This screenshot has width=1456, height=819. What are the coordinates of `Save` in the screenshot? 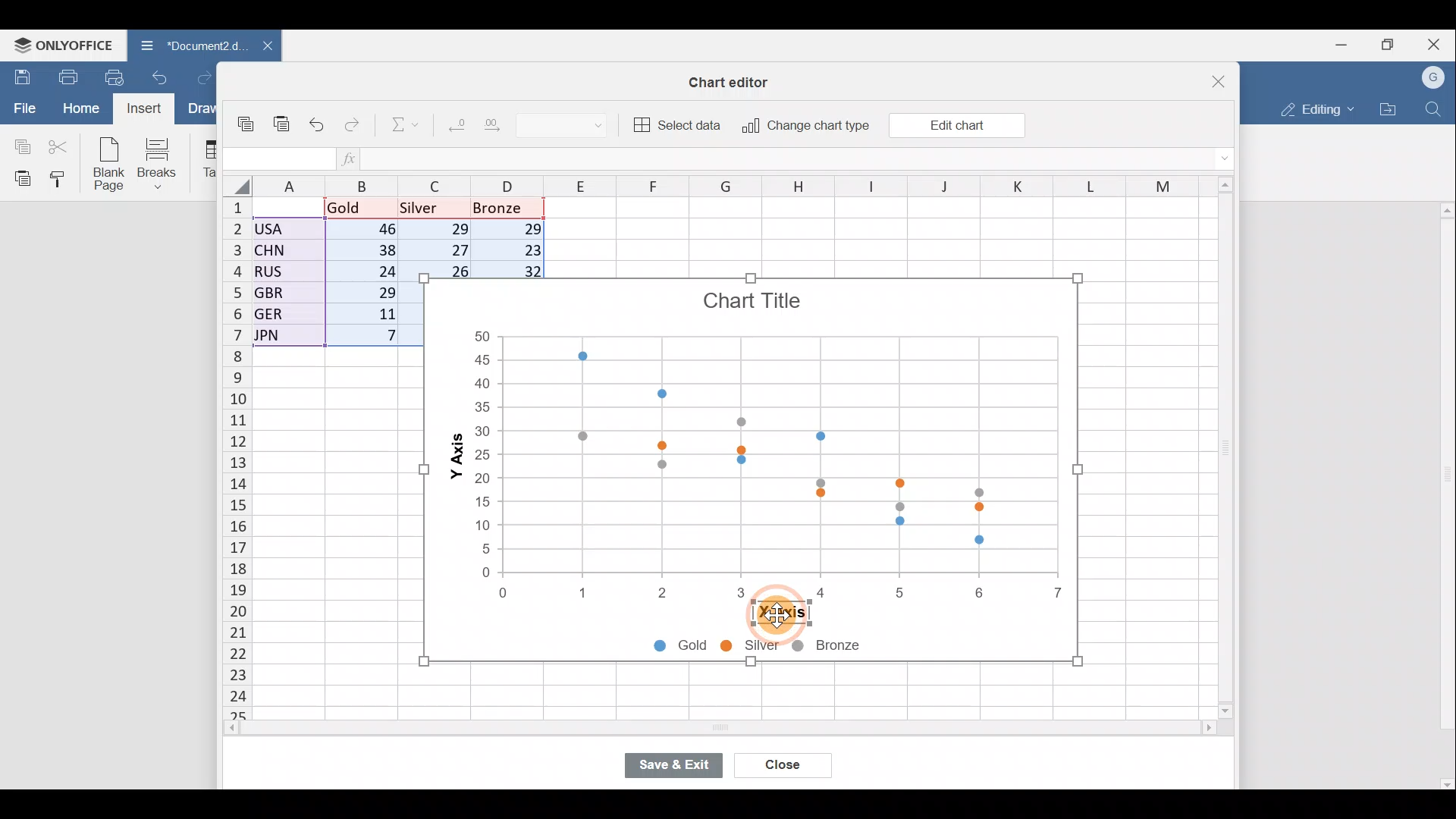 It's located at (19, 75).